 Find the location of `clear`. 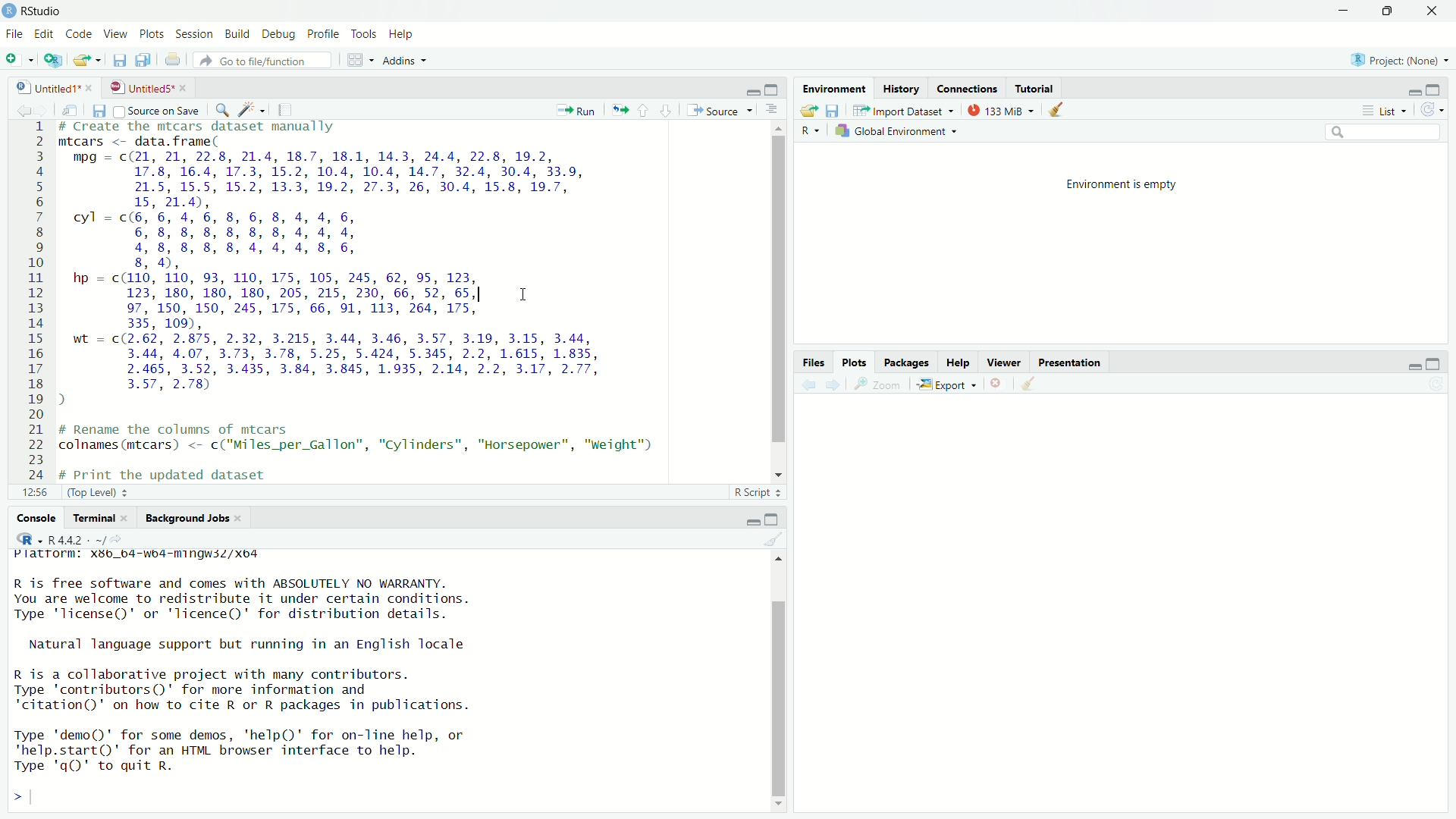

clear is located at coordinates (1062, 111).